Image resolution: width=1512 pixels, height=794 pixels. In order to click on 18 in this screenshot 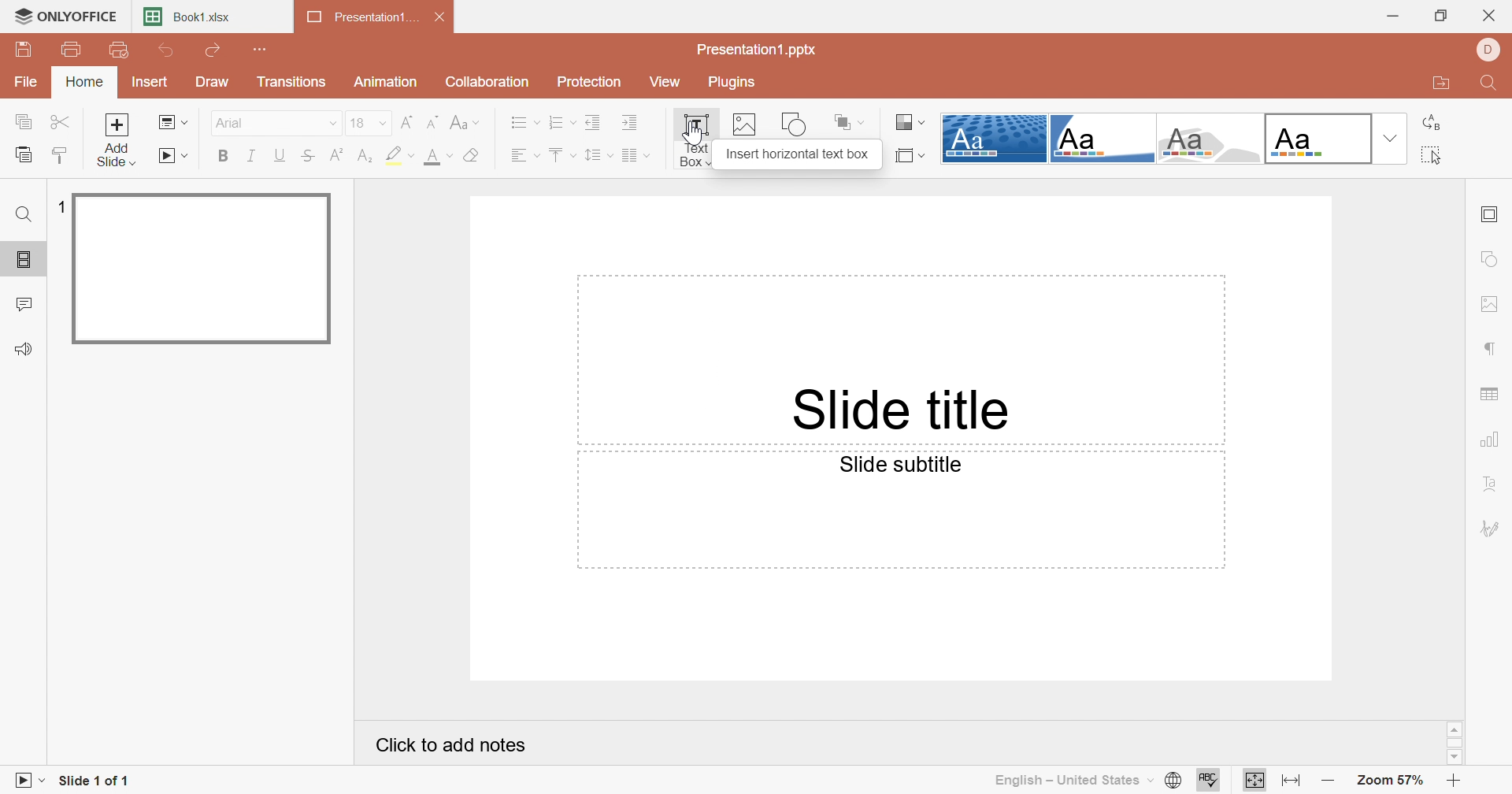, I will do `click(369, 123)`.